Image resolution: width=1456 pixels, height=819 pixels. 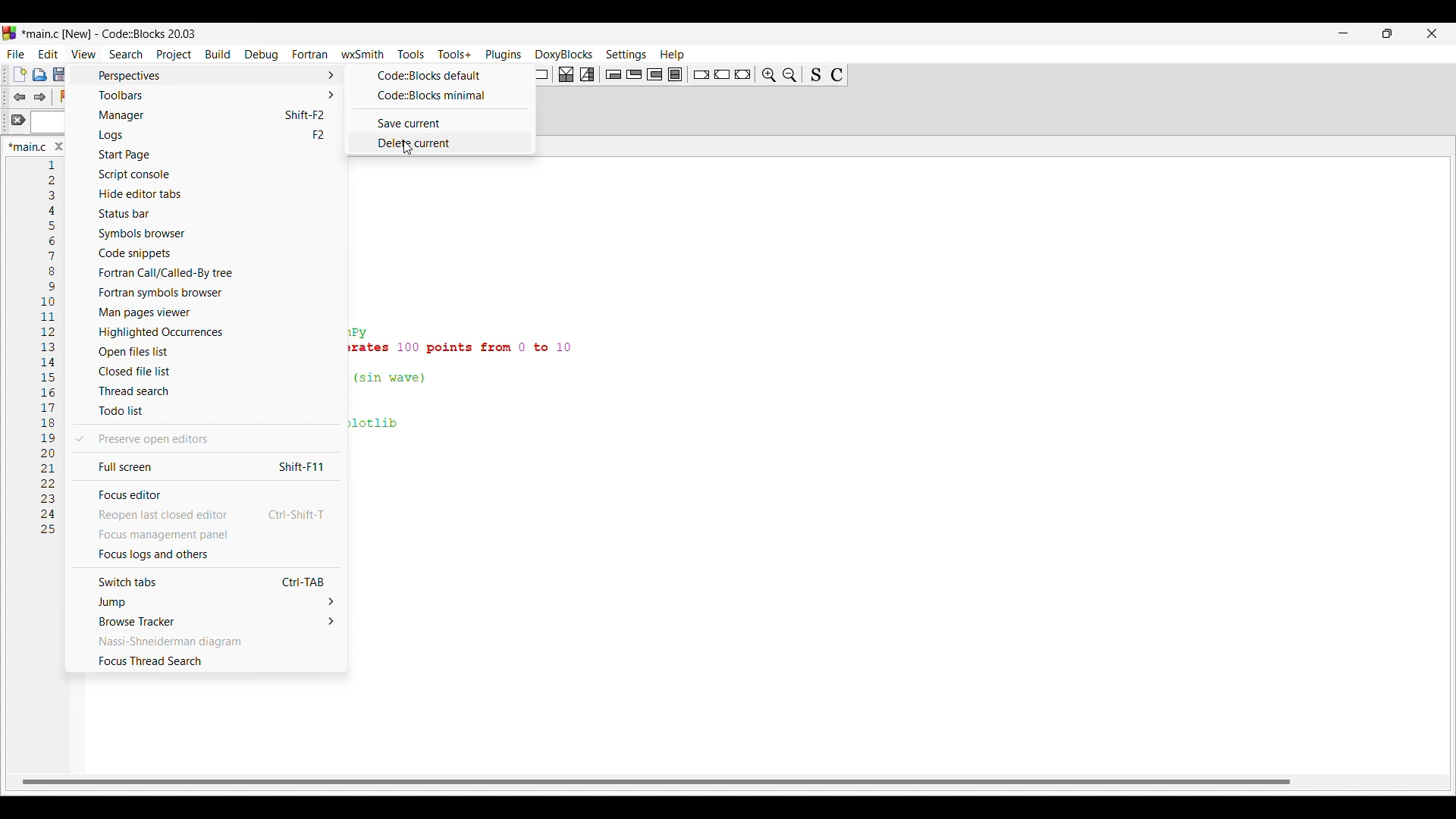 I want to click on 12345678|10111213141516171819202122232425, so click(x=48, y=353).